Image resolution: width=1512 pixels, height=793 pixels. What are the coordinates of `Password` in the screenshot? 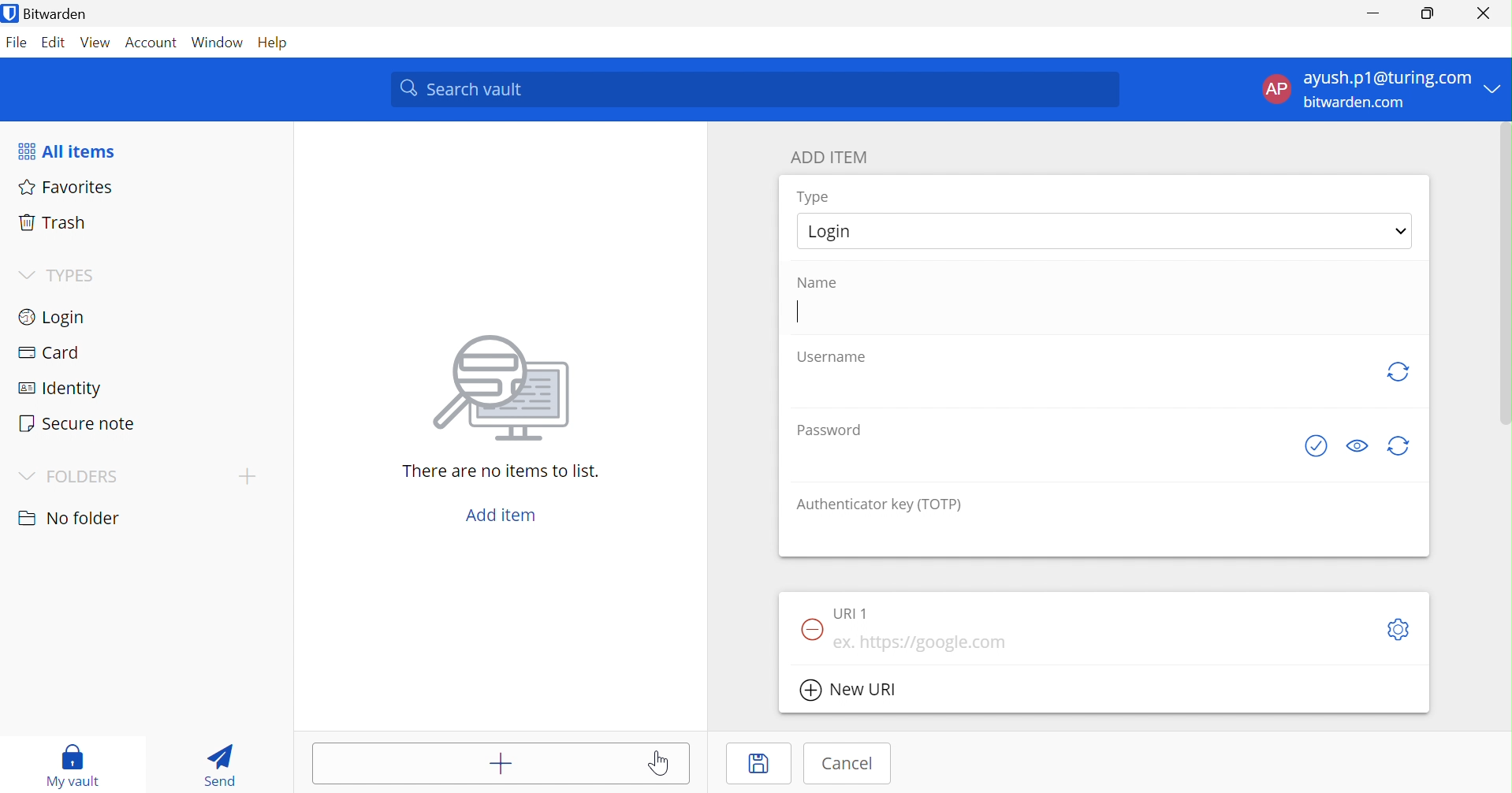 It's located at (829, 430).